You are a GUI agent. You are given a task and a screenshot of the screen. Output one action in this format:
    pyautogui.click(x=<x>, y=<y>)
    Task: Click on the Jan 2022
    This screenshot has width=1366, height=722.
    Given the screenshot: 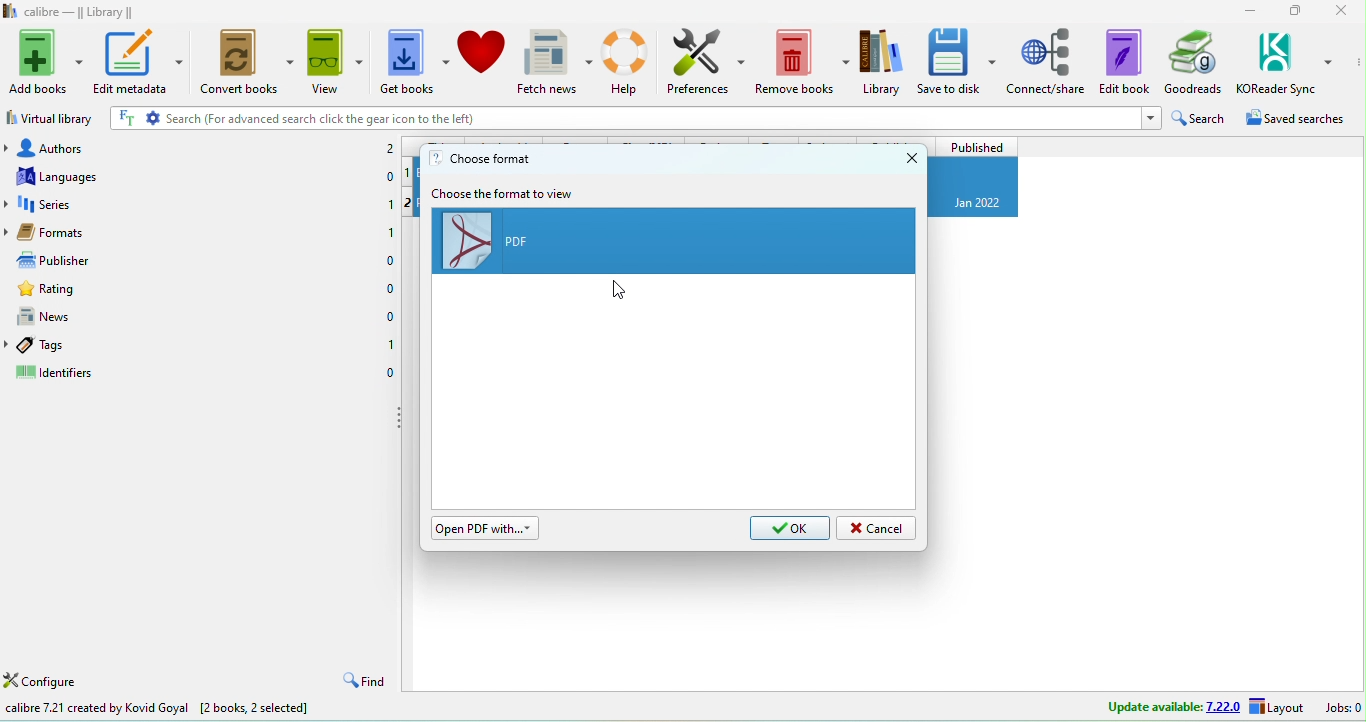 What is the action you would take?
    pyautogui.click(x=980, y=203)
    